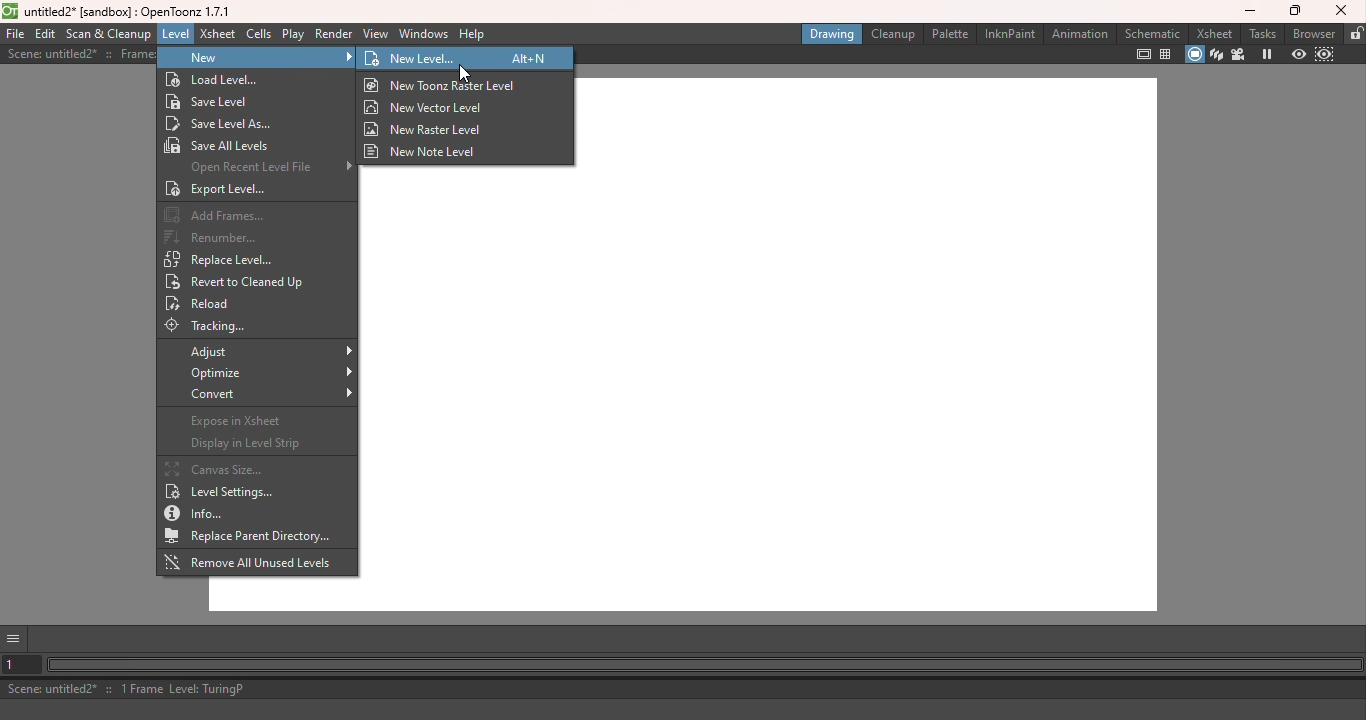 This screenshot has height=720, width=1366. Describe the element at coordinates (259, 35) in the screenshot. I see `Cells` at that location.